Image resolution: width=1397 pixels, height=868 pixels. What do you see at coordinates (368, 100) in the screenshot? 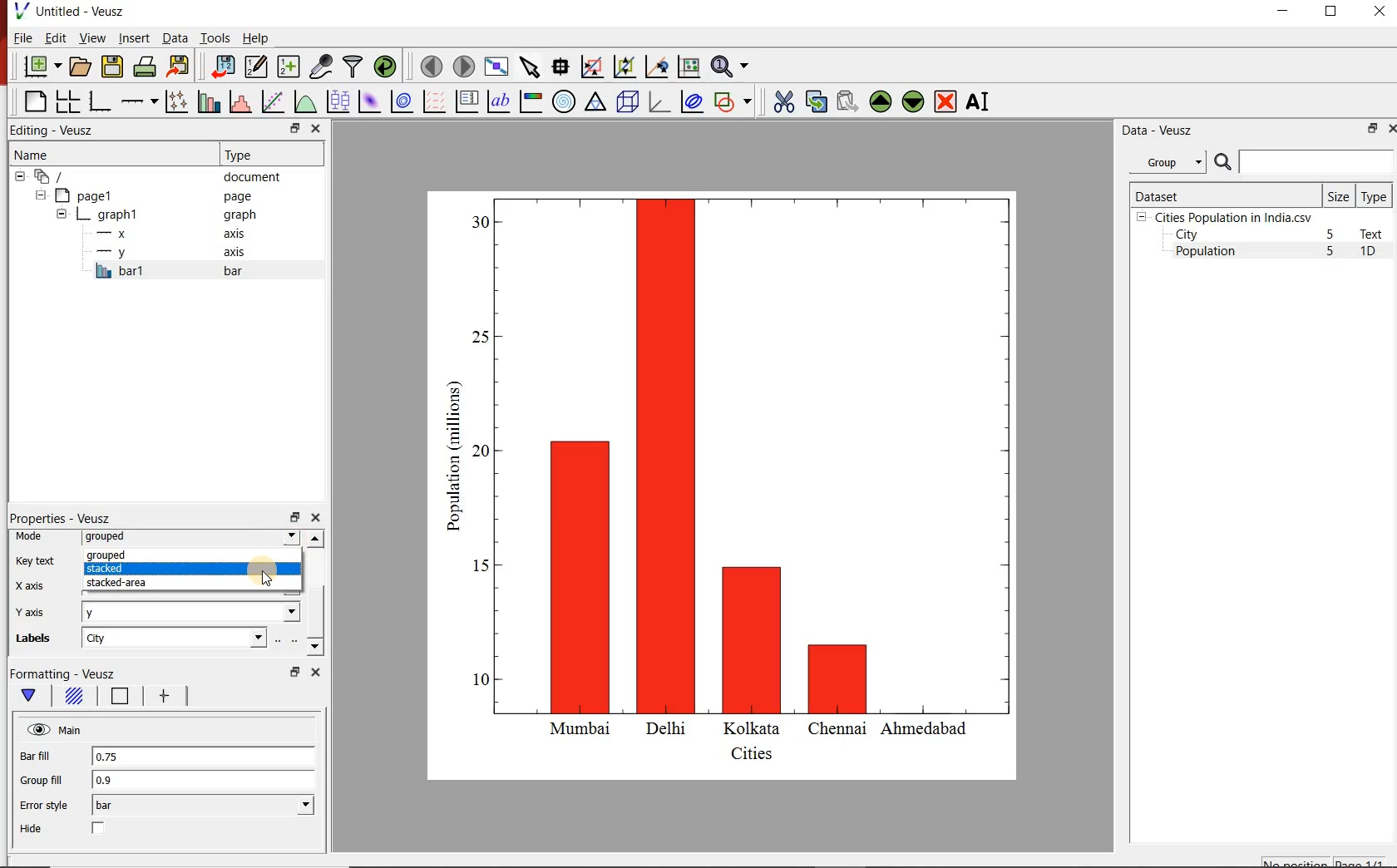
I see `plot a 2d dataset as an image` at bounding box center [368, 100].